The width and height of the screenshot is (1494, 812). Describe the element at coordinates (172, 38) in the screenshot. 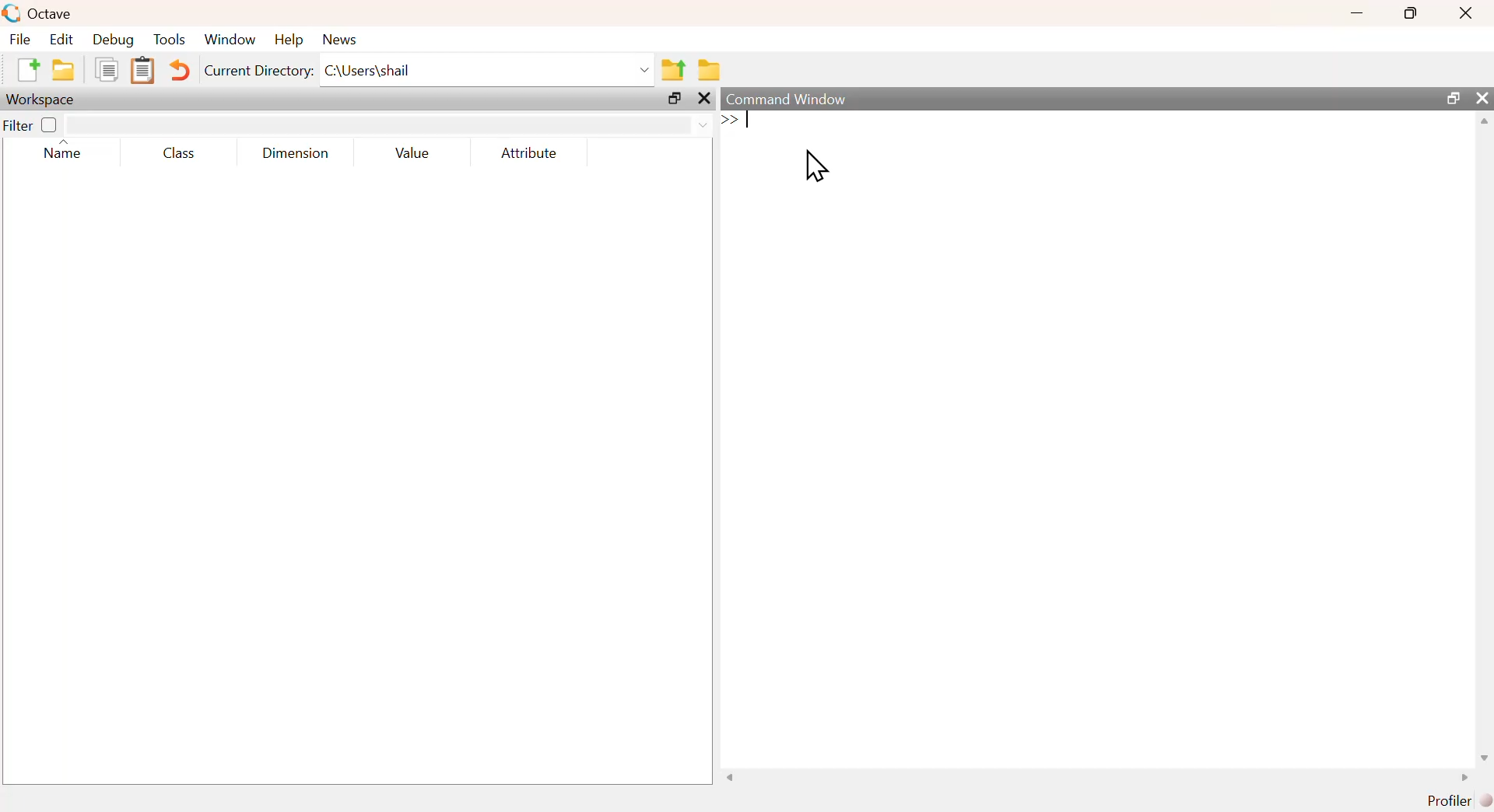

I see `tools` at that location.